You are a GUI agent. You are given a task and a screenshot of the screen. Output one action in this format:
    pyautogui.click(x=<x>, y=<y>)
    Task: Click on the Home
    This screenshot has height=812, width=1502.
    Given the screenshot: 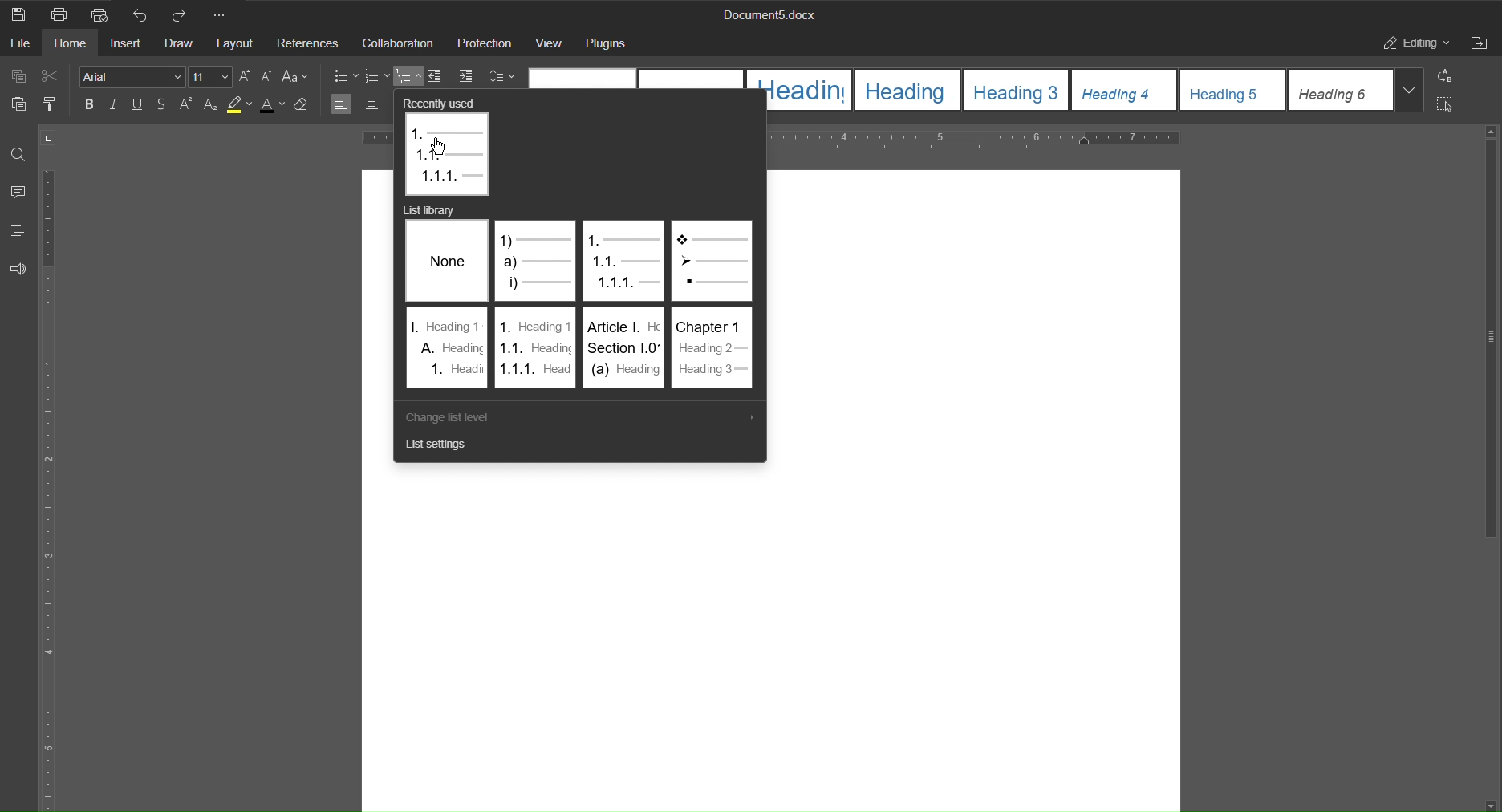 What is the action you would take?
    pyautogui.click(x=74, y=45)
    